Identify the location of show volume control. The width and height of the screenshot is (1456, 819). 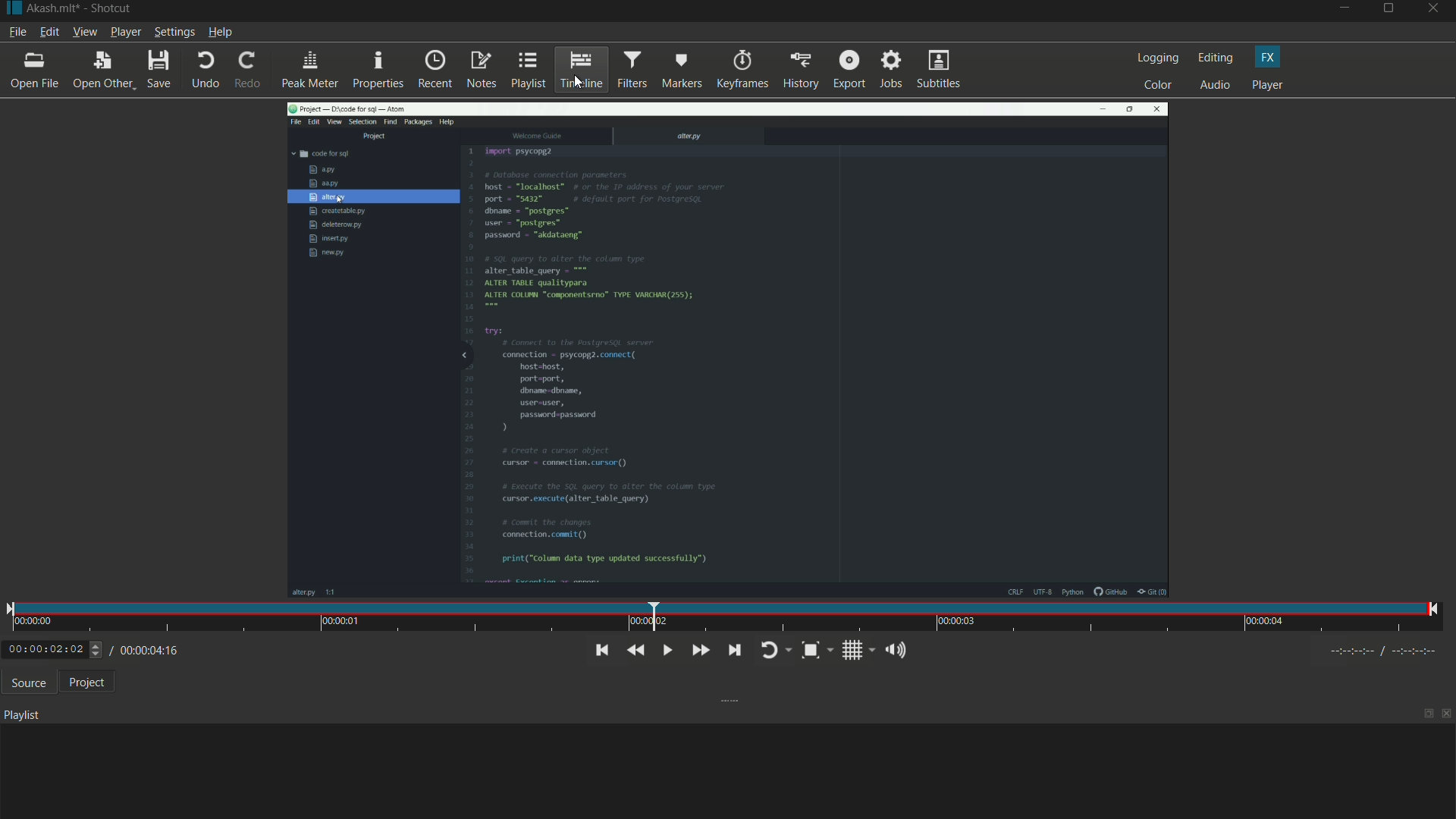
(899, 649).